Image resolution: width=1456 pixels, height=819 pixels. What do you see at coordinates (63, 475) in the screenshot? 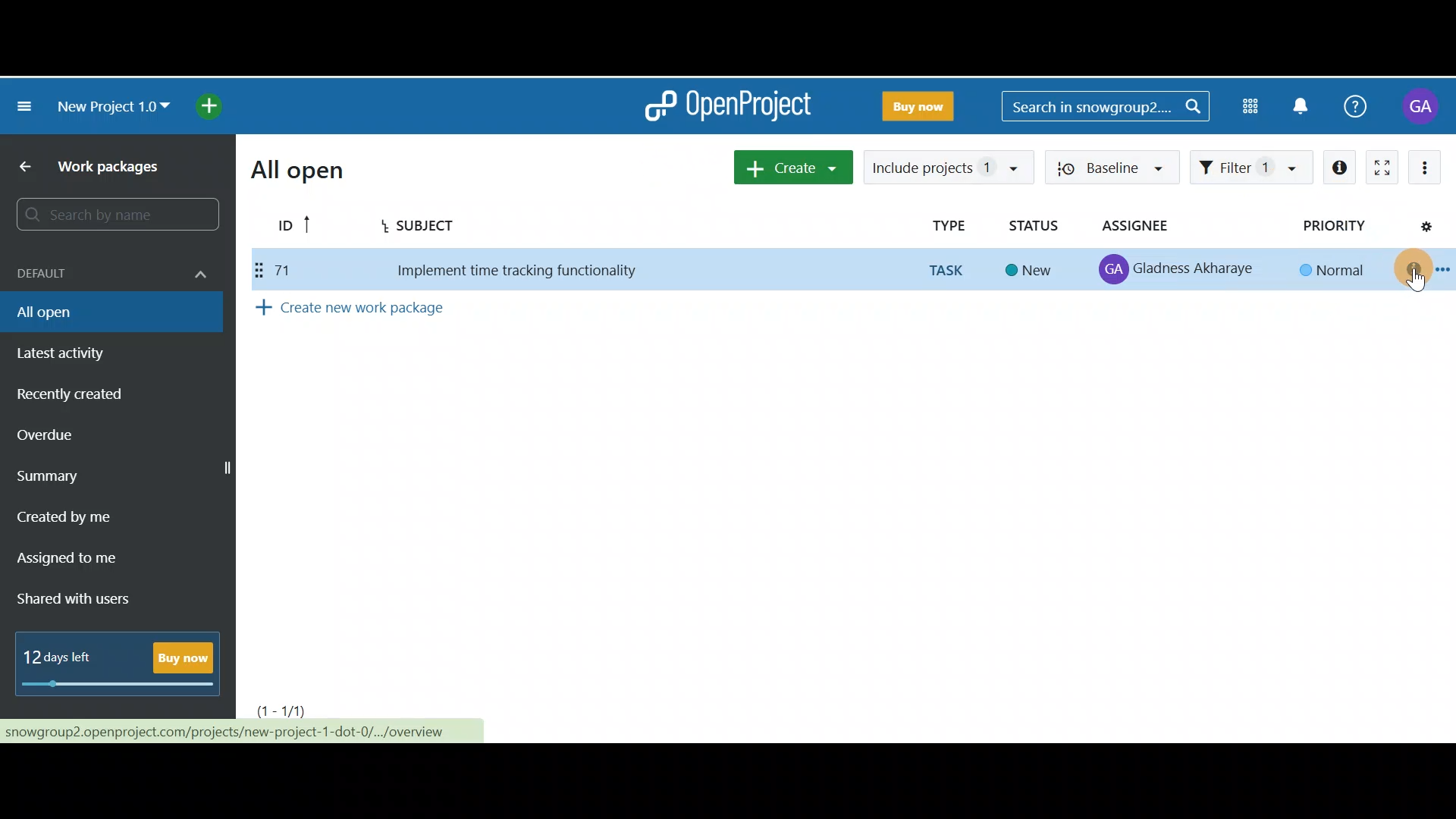
I see `Summary` at bounding box center [63, 475].